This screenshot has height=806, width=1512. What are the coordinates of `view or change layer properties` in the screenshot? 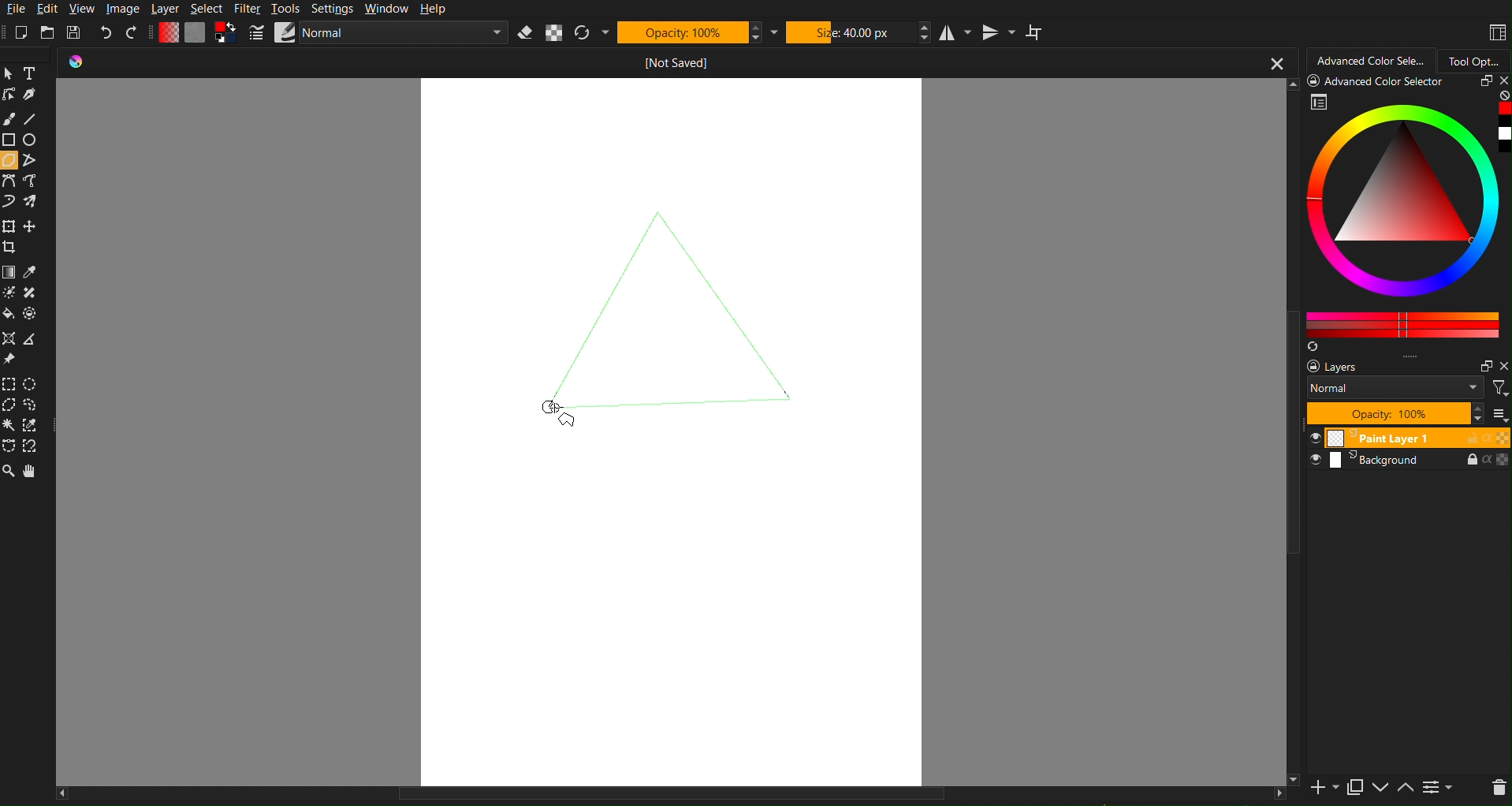 It's located at (1438, 789).